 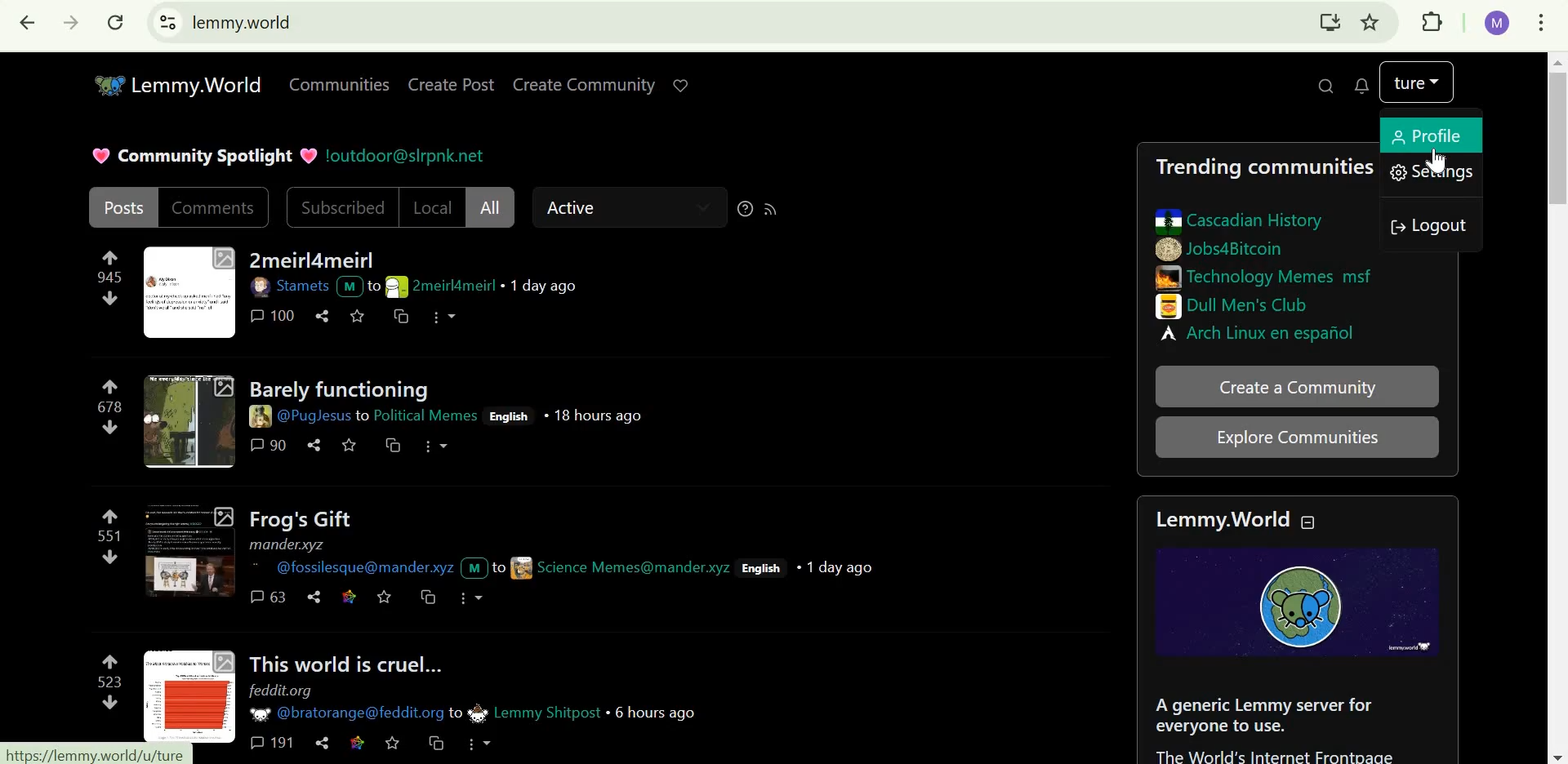 What do you see at coordinates (1279, 725) in the screenshot?
I see `about section` at bounding box center [1279, 725].